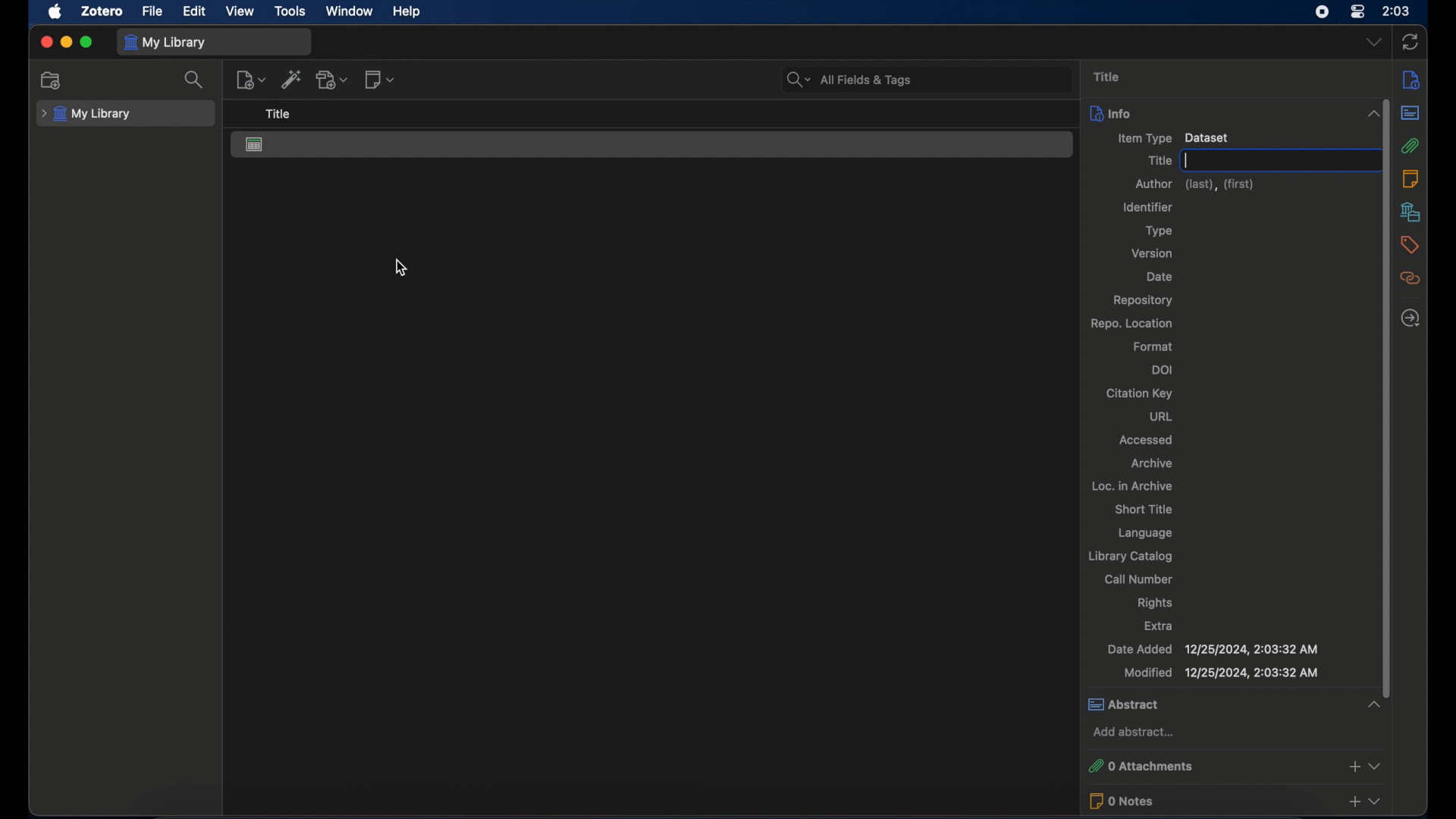 This screenshot has height=819, width=1456. I want to click on format, so click(1153, 347).